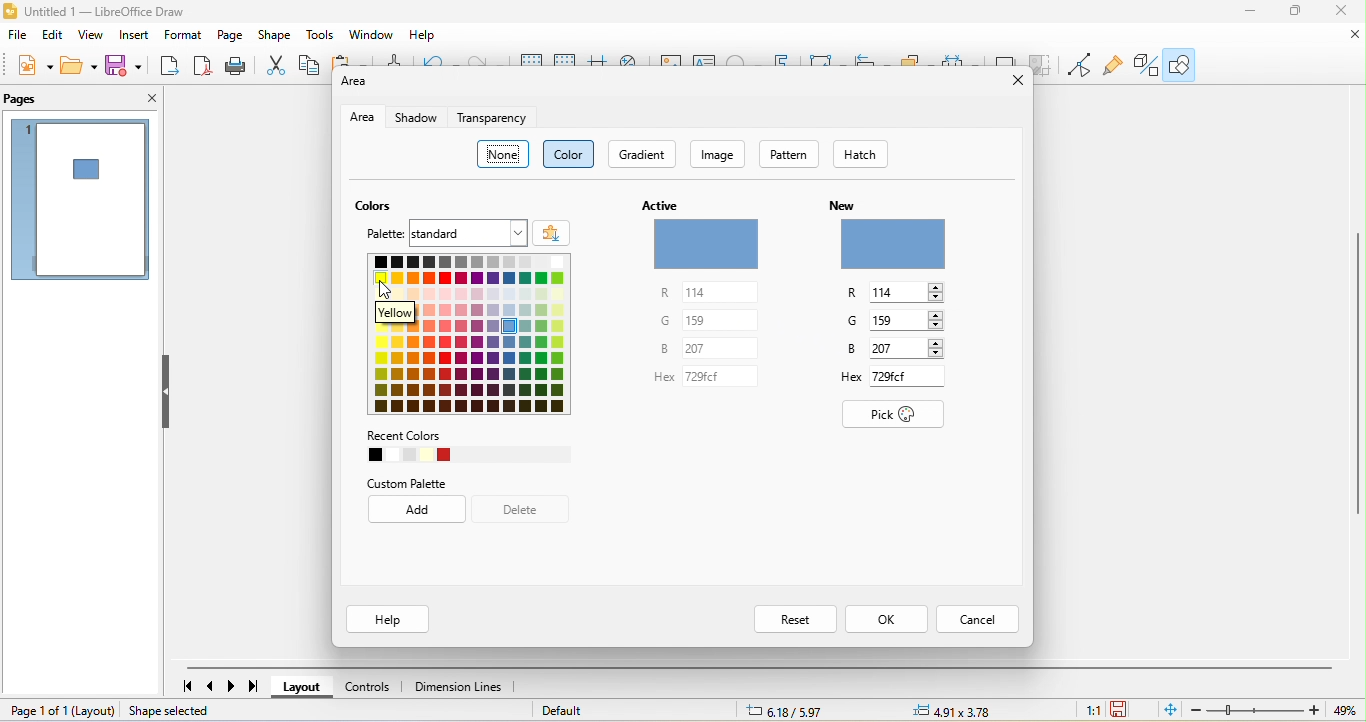  I want to click on b 207, so click(708, 346).